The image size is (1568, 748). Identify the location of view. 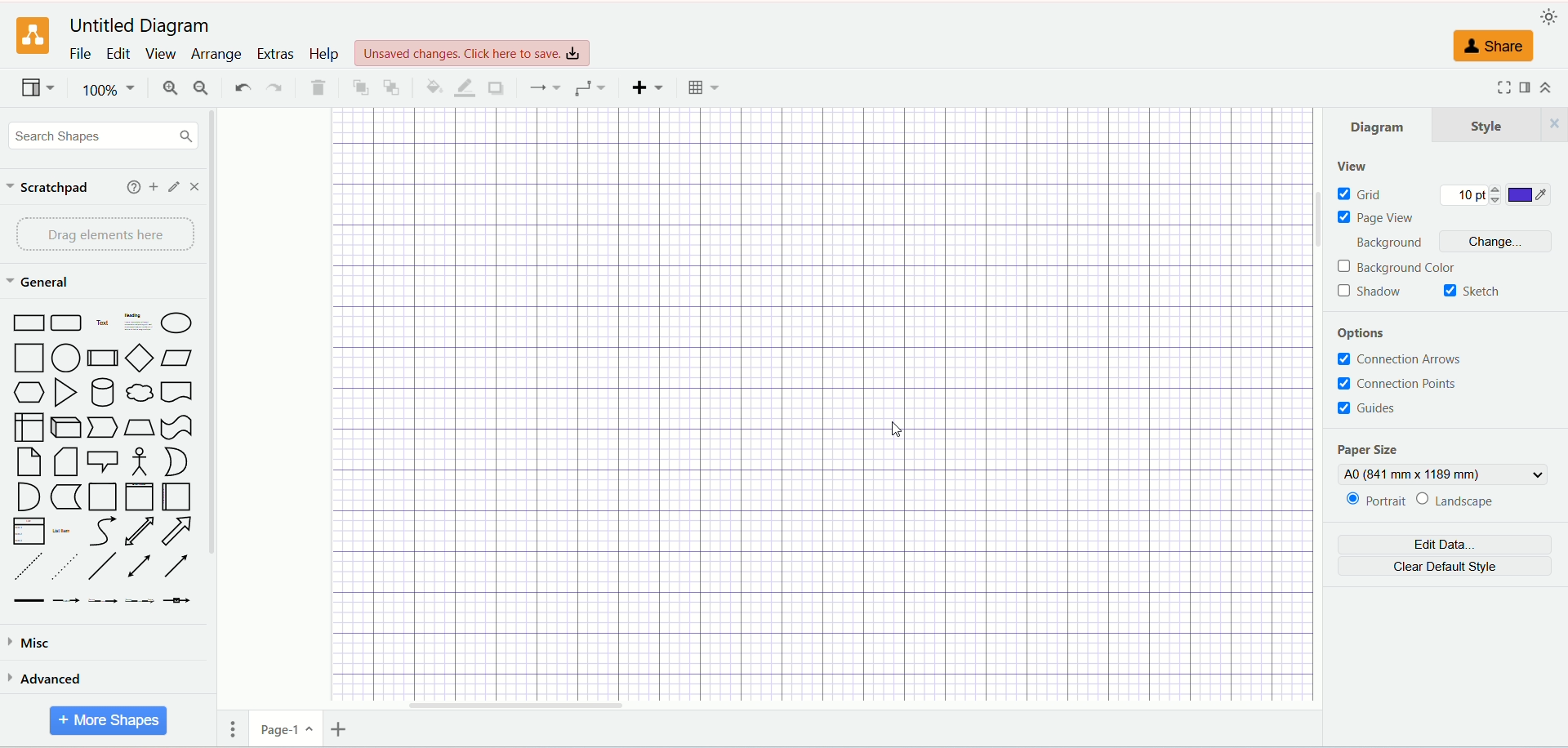
(161, 54).